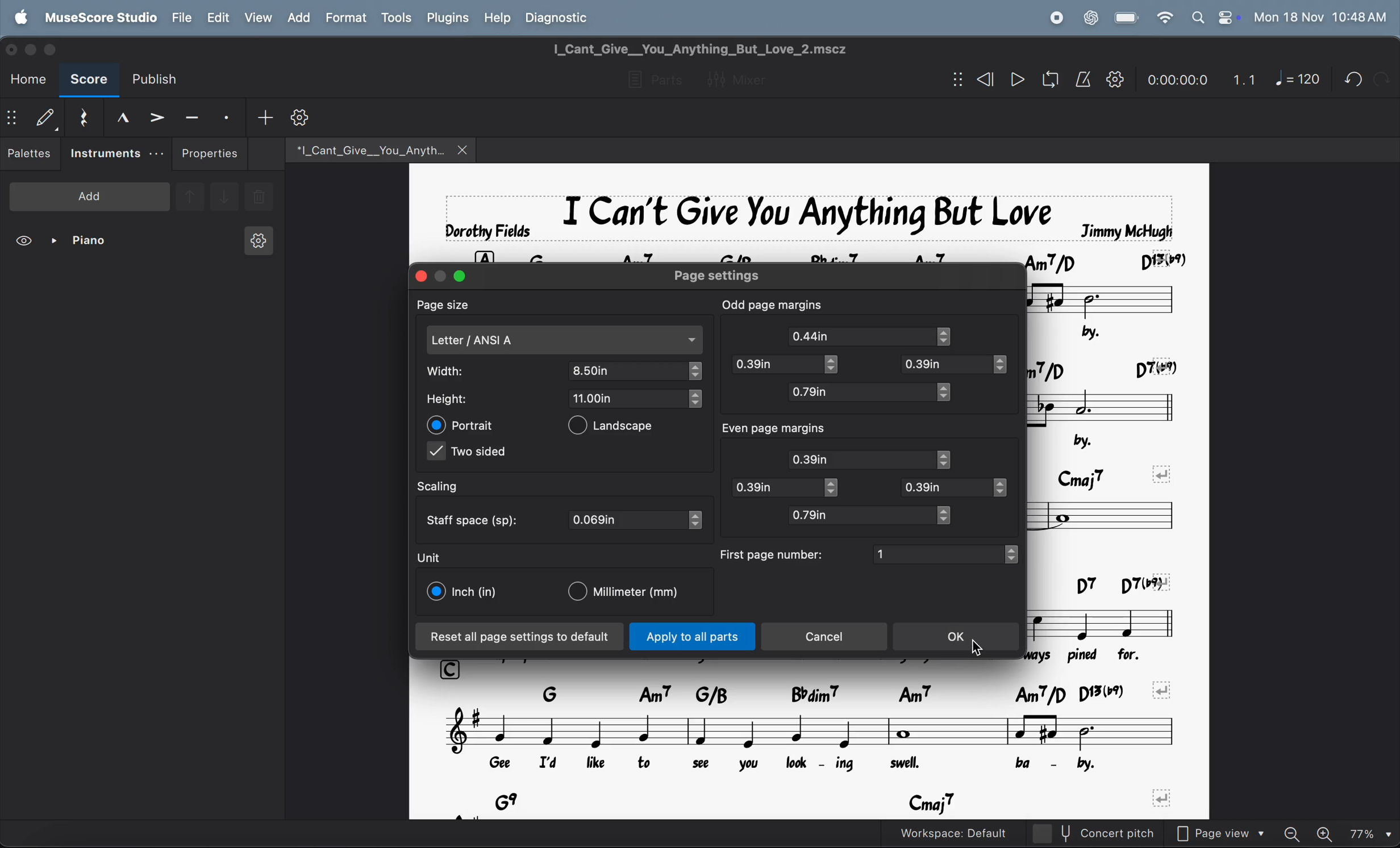 This screenshot has width=1400, height=848. What do you see at coordinates (835, 488) in the screenshot?
I see `toggle` at bounding box center [835, 488].